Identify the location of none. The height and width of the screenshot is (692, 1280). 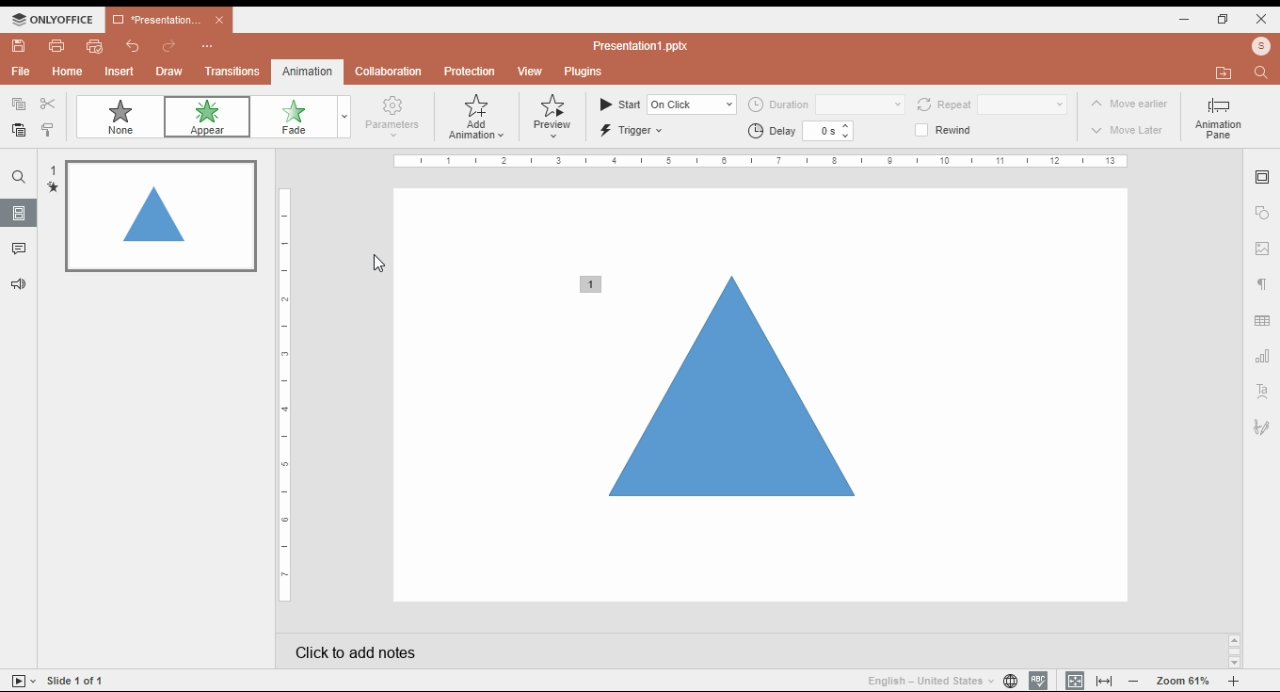
(119, 115).